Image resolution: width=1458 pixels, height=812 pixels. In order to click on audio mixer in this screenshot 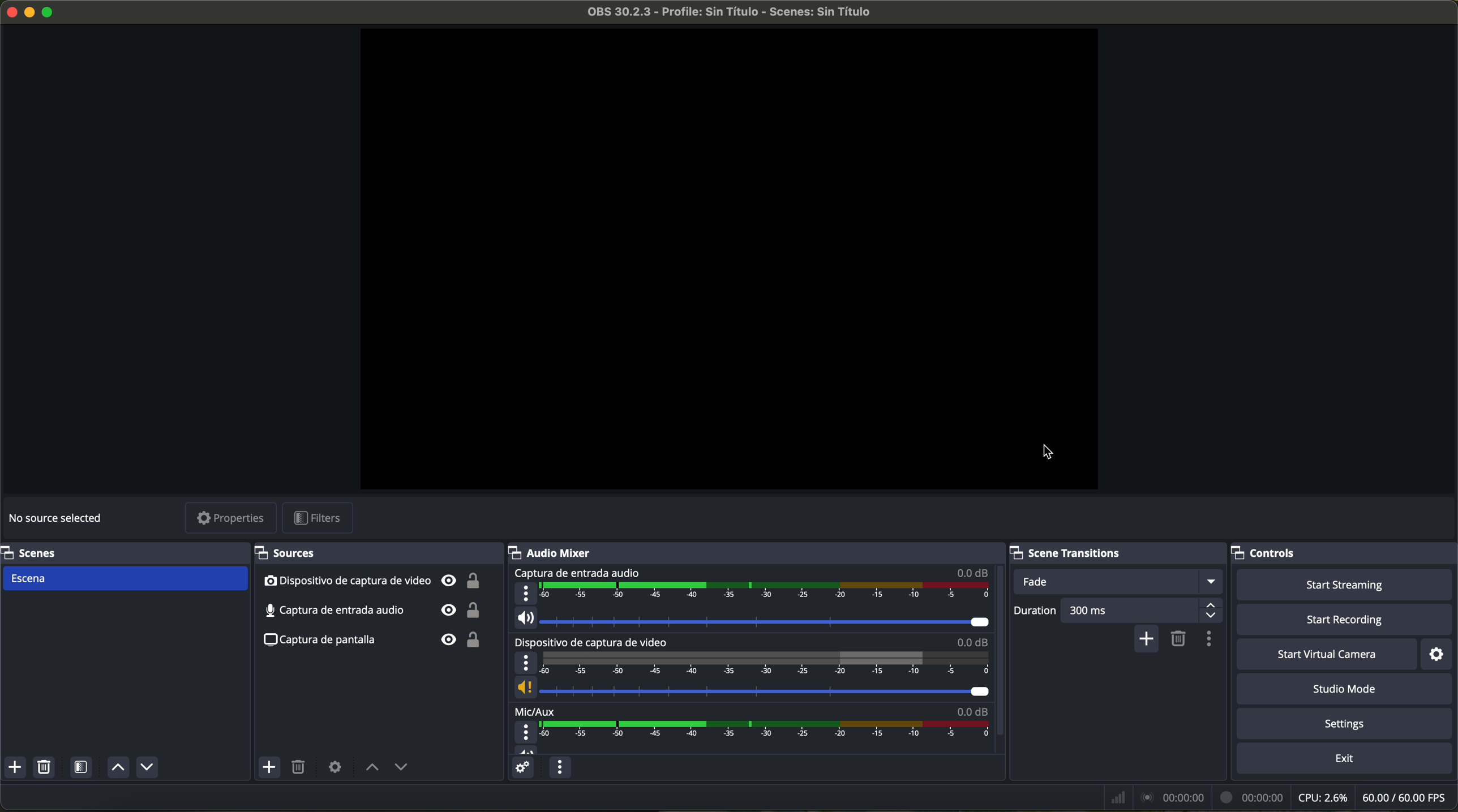, I will do `click(757, 552)`.